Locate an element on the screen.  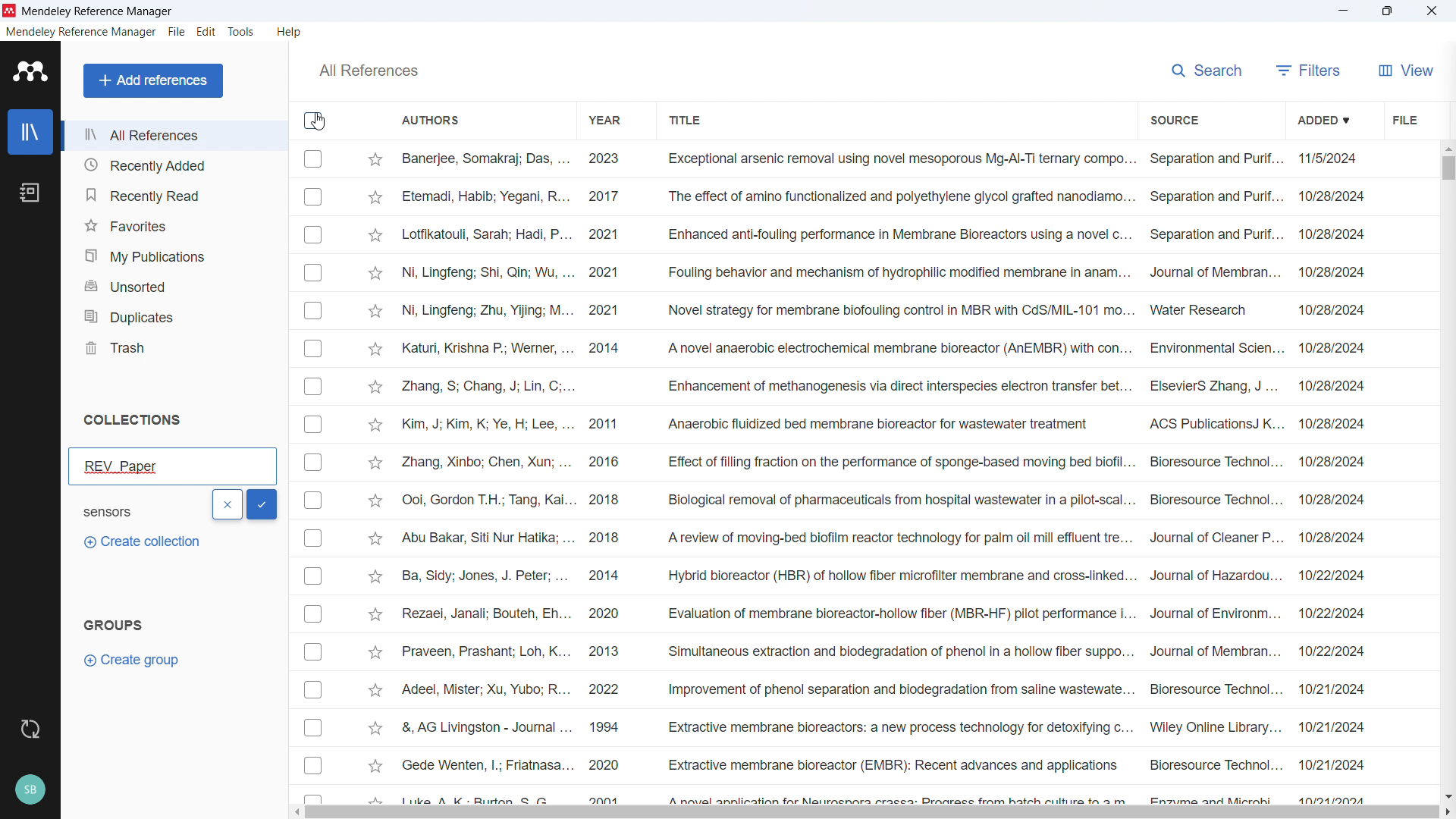
Year is located at coordinates (607, 119).